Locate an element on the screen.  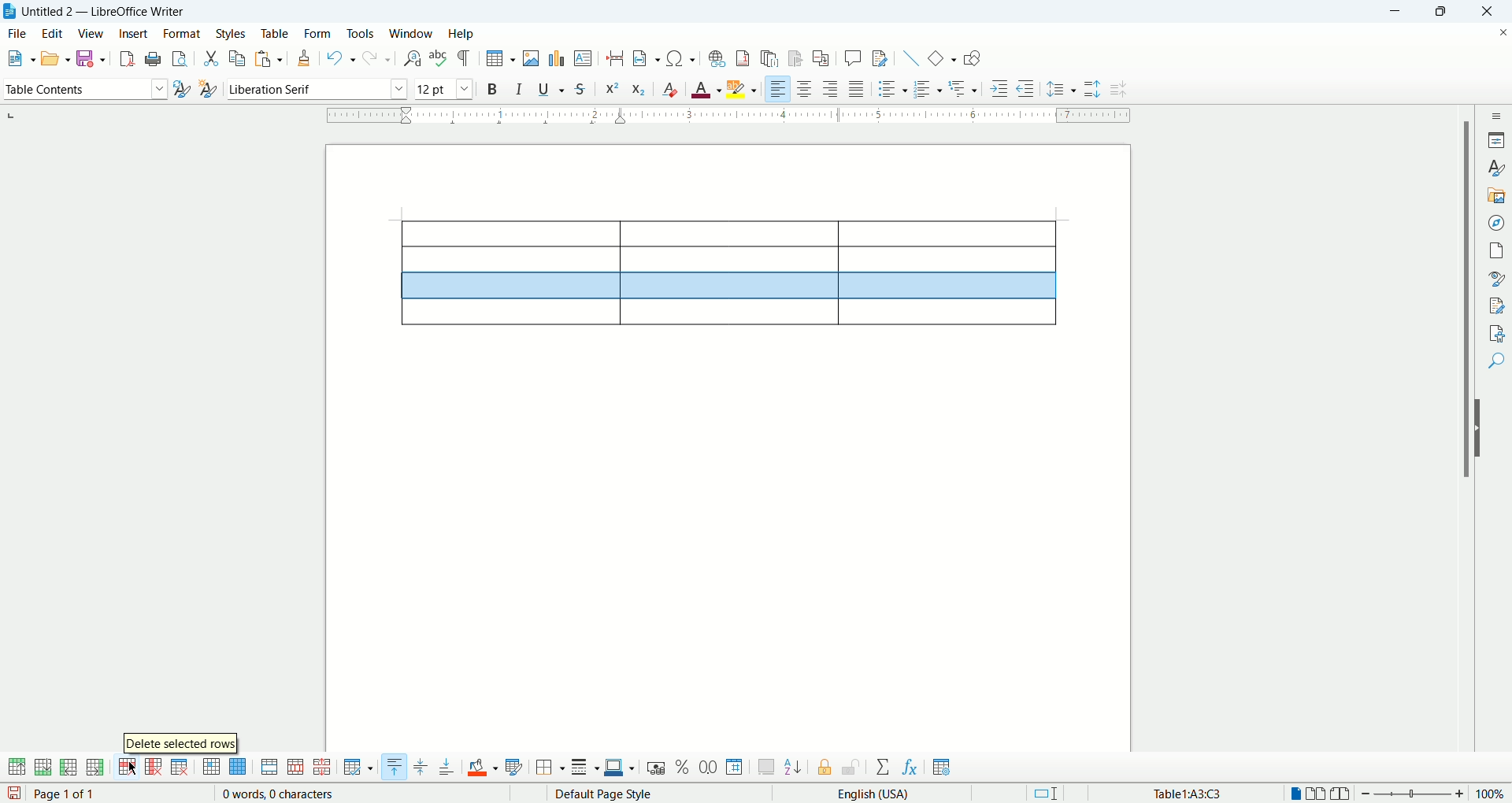
optimize size is located at coordinates (359, 768).